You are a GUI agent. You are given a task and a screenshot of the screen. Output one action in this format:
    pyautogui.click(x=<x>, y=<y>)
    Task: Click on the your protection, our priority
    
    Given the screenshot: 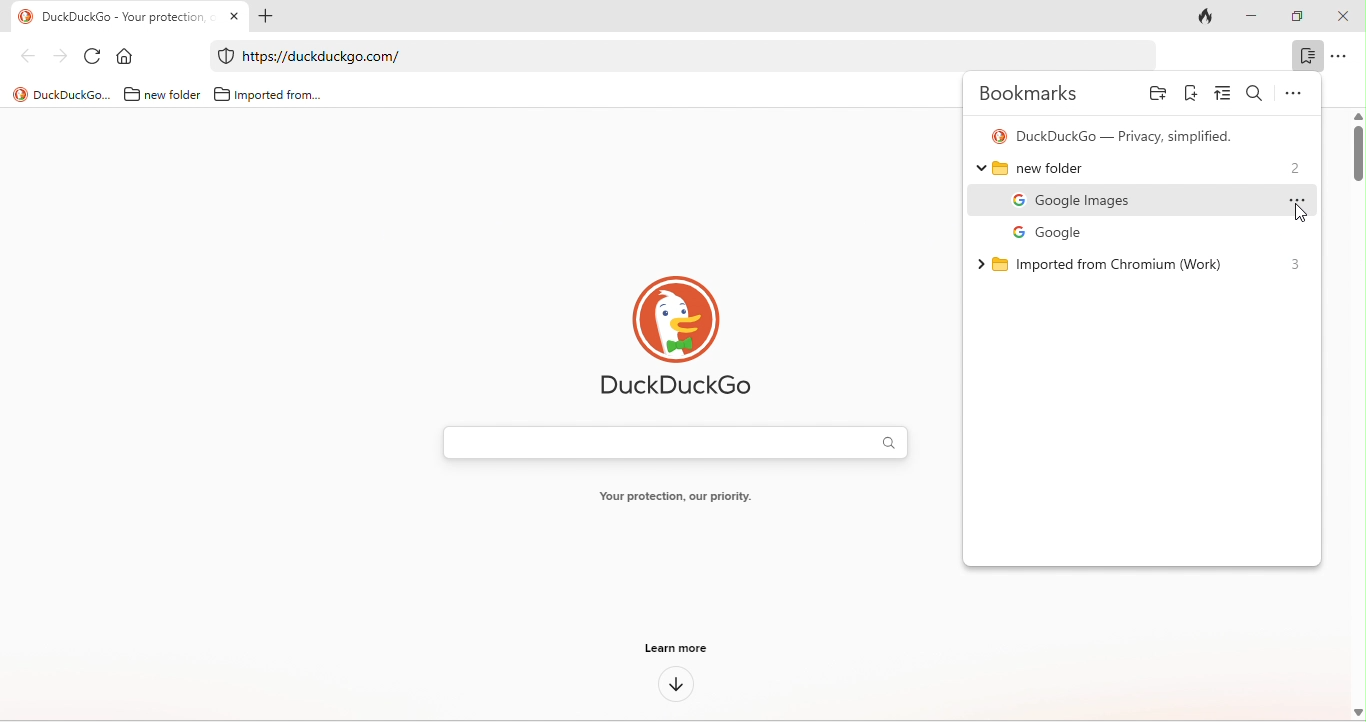 What is the action you would take?
    pyautogui.click(x=674, y=498)
    